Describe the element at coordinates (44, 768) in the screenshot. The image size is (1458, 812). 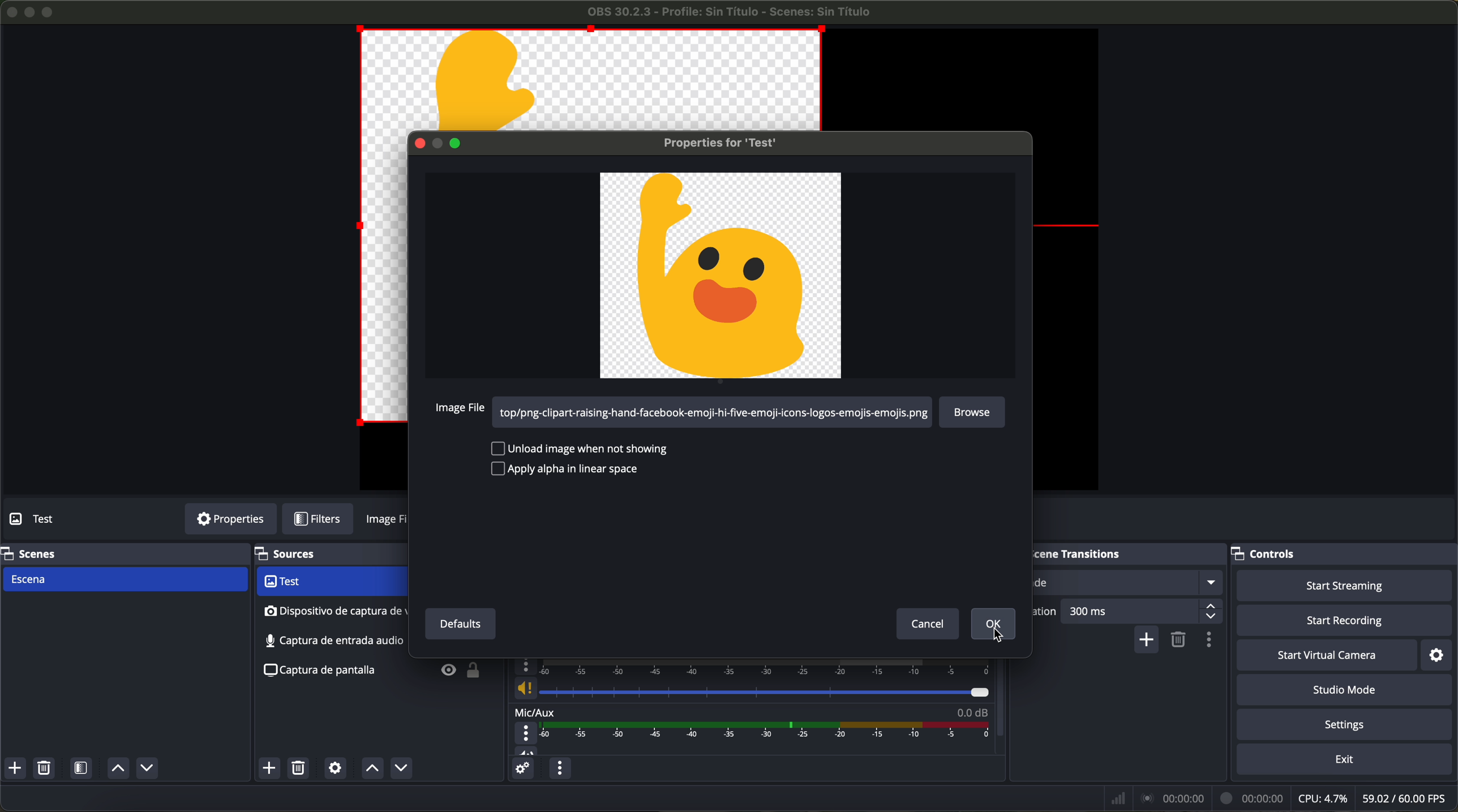
I see `remove selected scene` at that location.